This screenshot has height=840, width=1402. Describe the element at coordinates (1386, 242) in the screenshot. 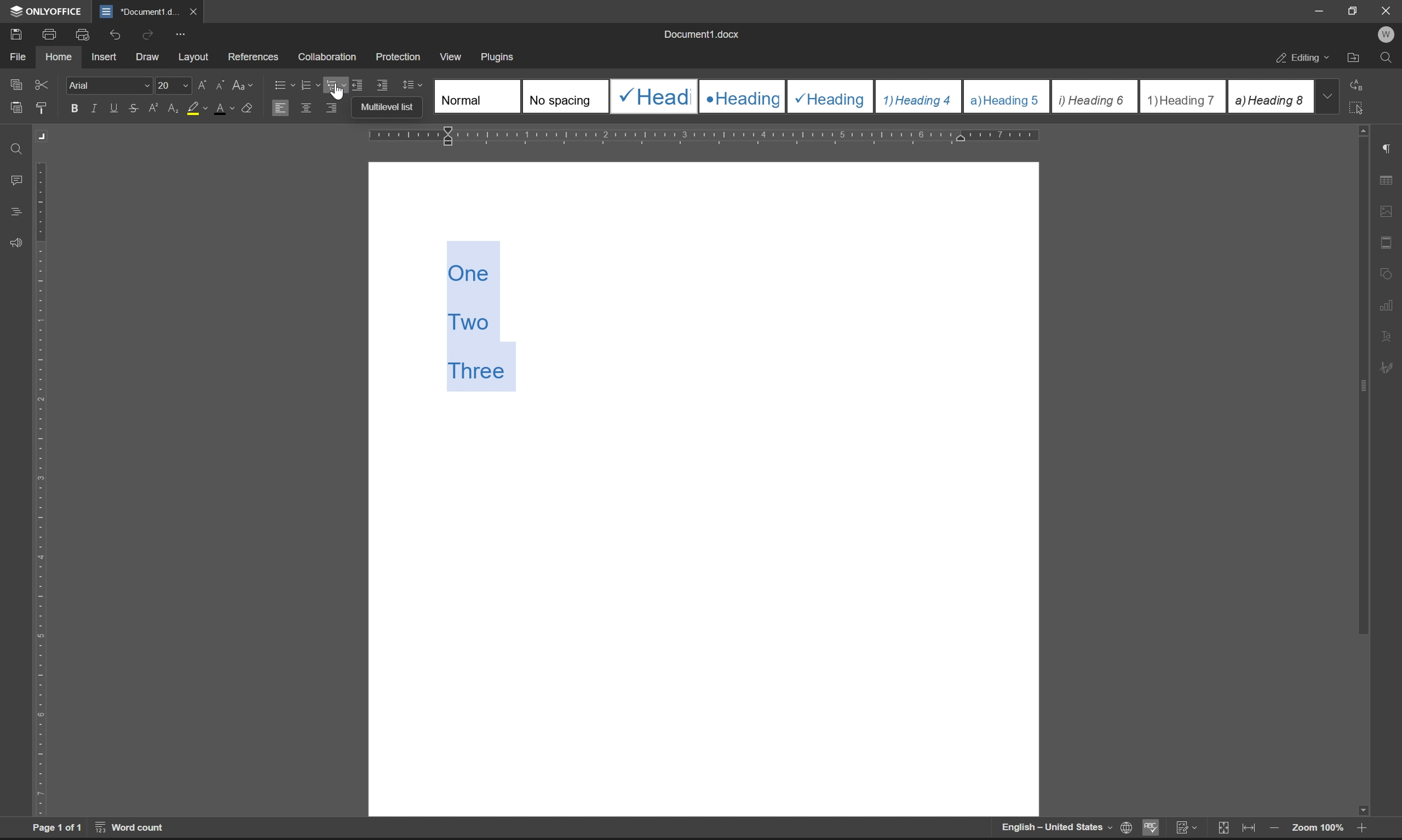

I see `header & footer settings` at that location.